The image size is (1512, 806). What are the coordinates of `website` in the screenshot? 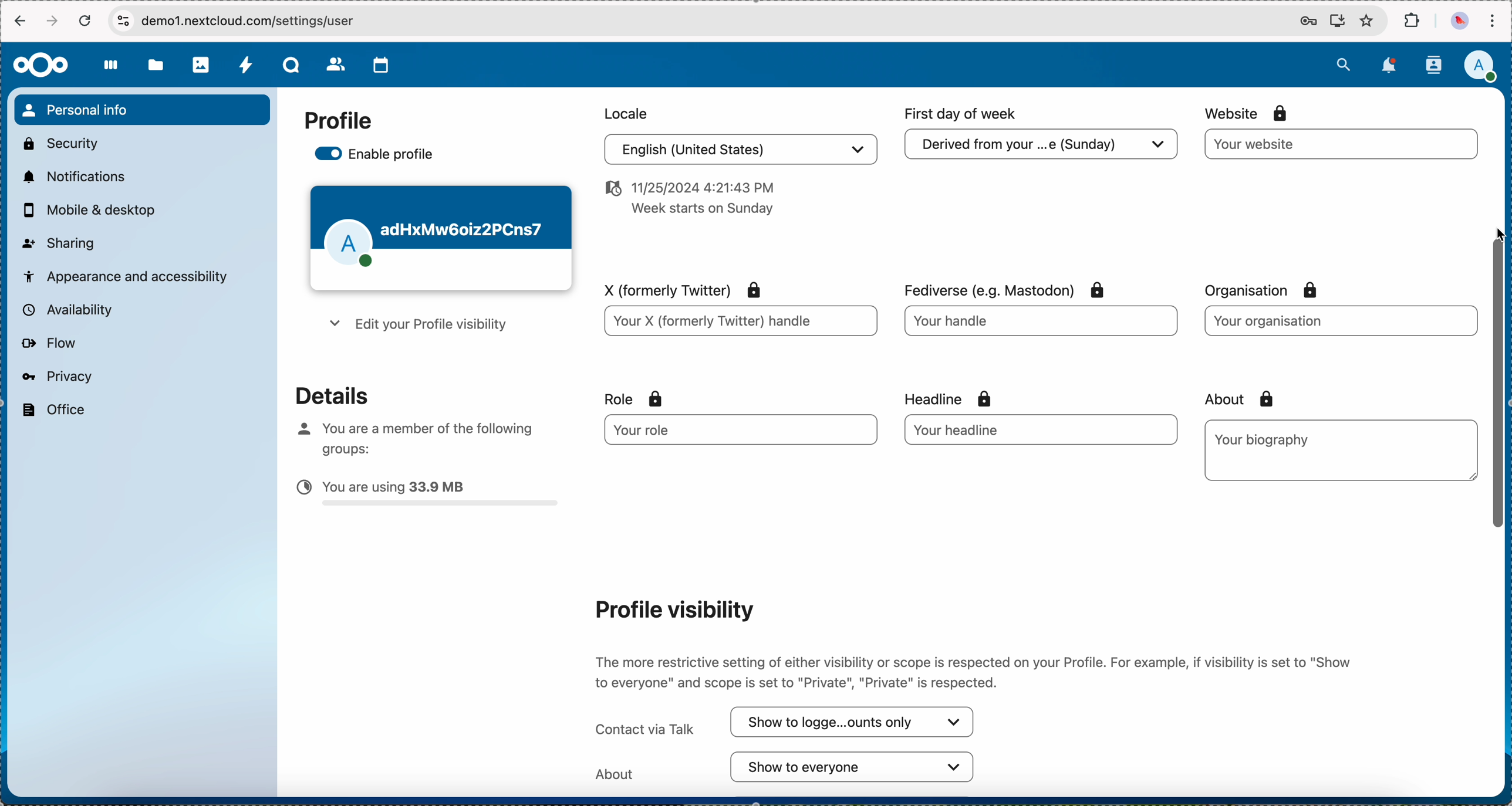 It's located at (1342, 144).